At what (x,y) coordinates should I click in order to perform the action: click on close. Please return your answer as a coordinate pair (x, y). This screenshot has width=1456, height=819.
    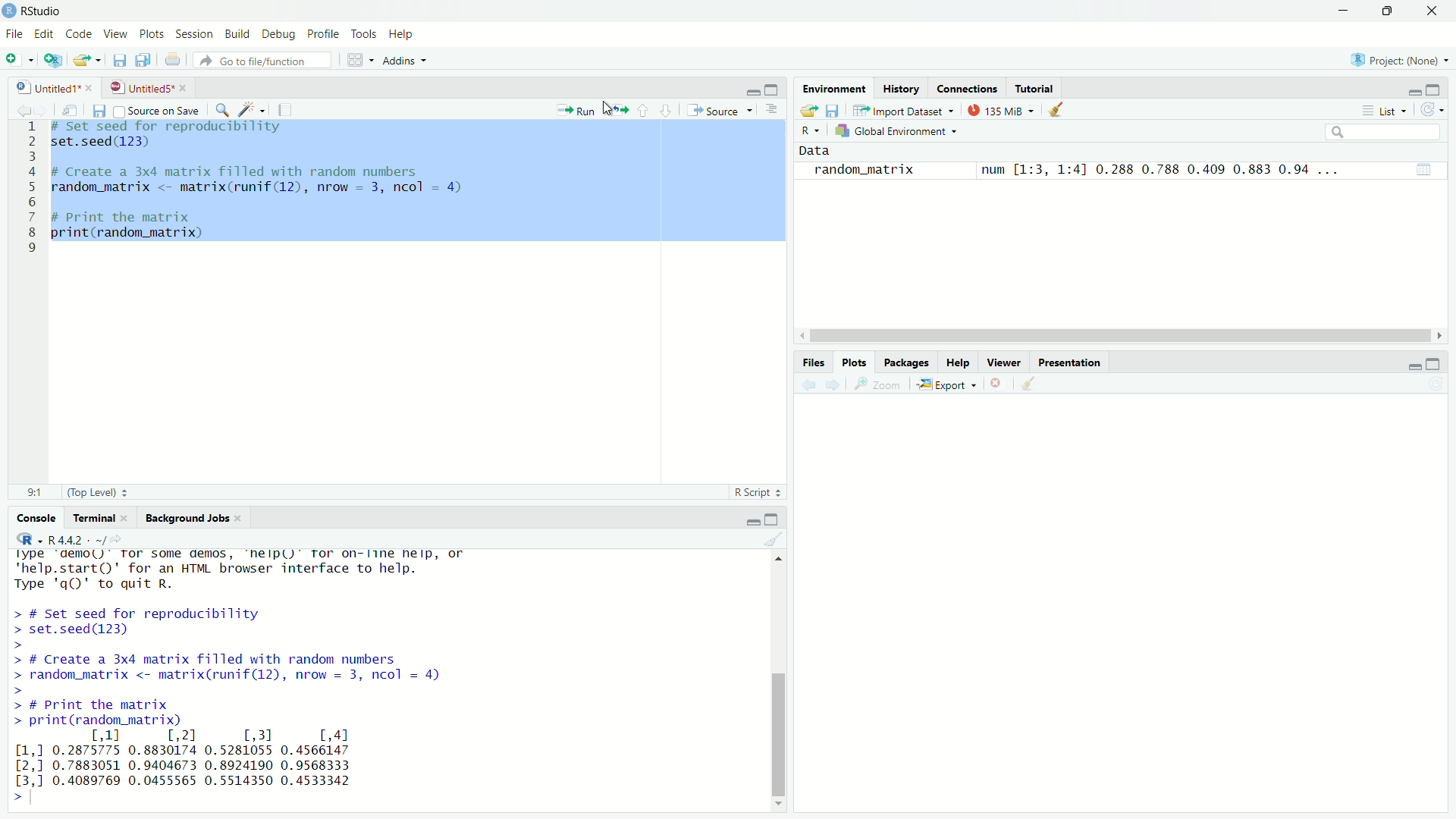
    Looking at the image, I should click on (997, 383).